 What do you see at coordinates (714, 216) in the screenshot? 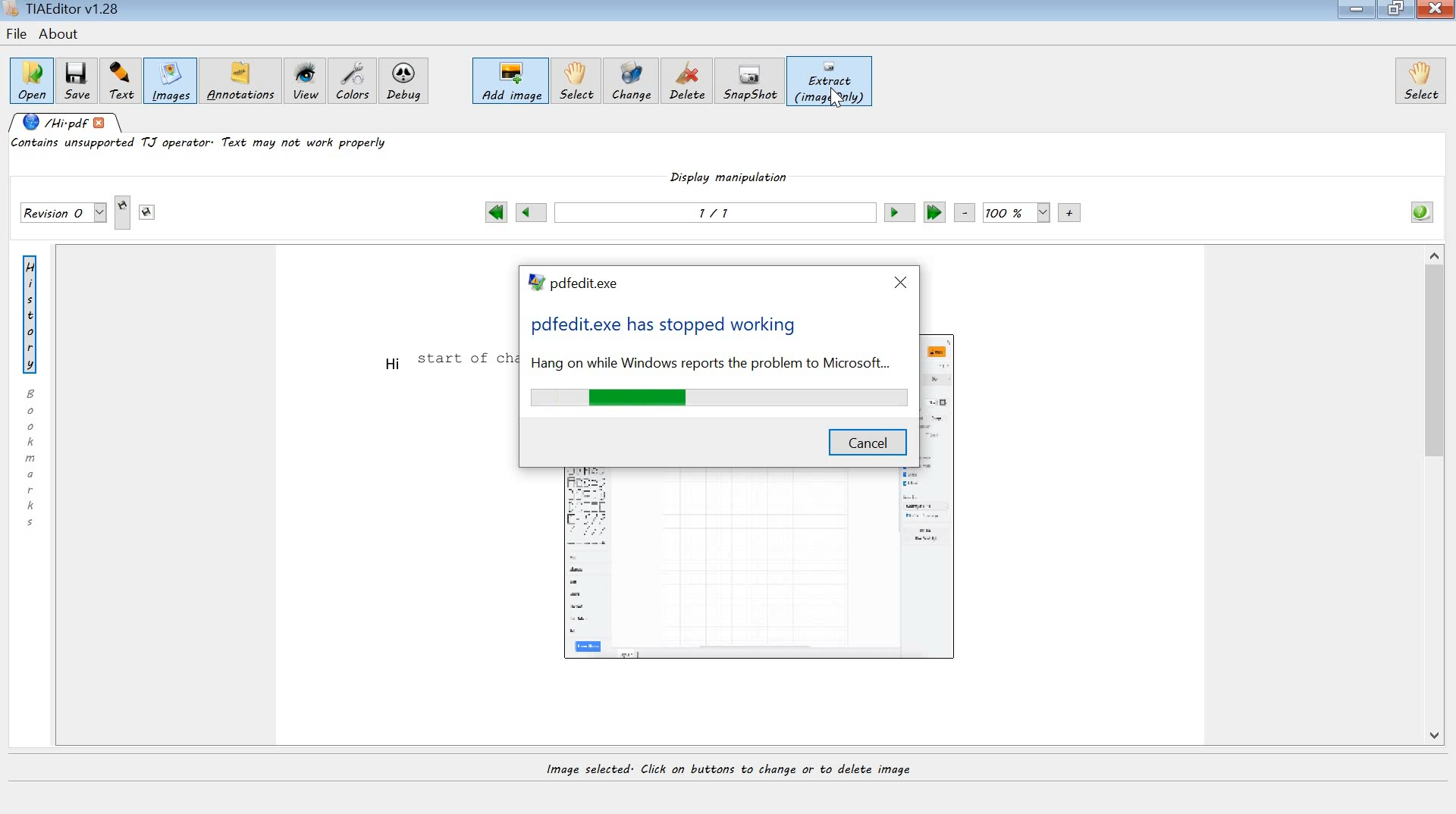
I see `previous or next page` at bounding box center [714, 216].